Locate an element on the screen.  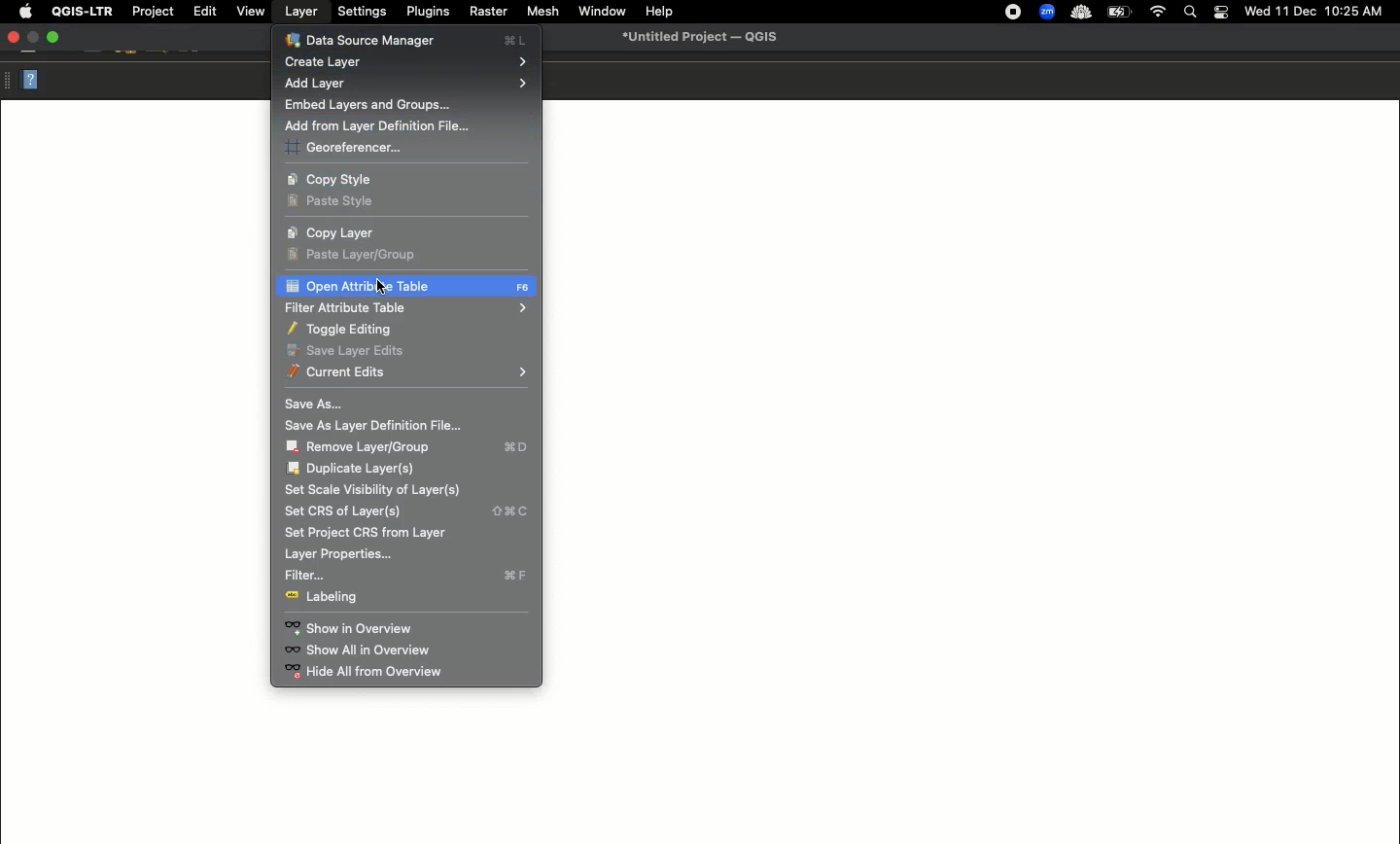
Layer properties is located at coordinates (336, 555).